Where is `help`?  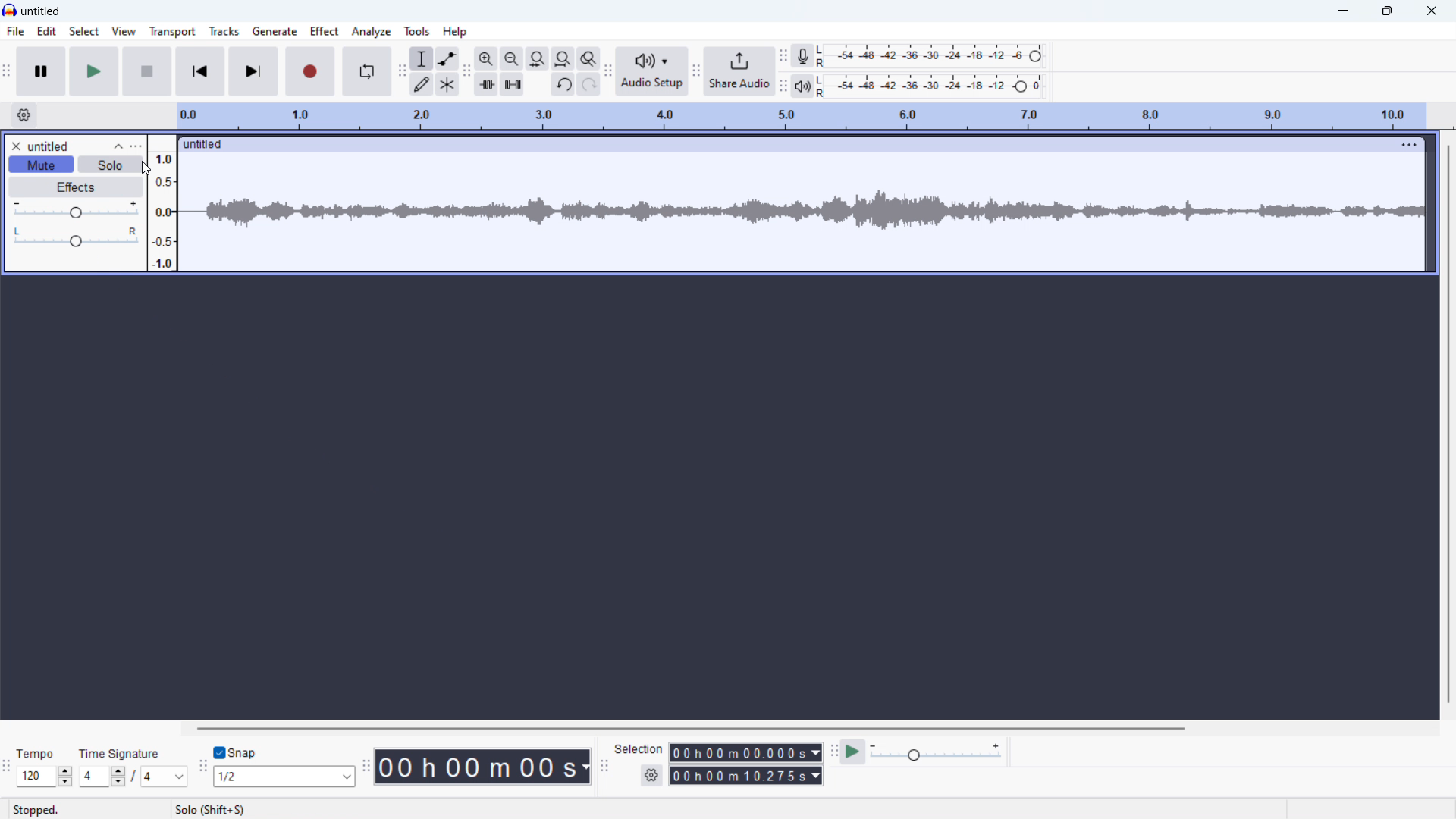
help is located at coordinates (454, 31).